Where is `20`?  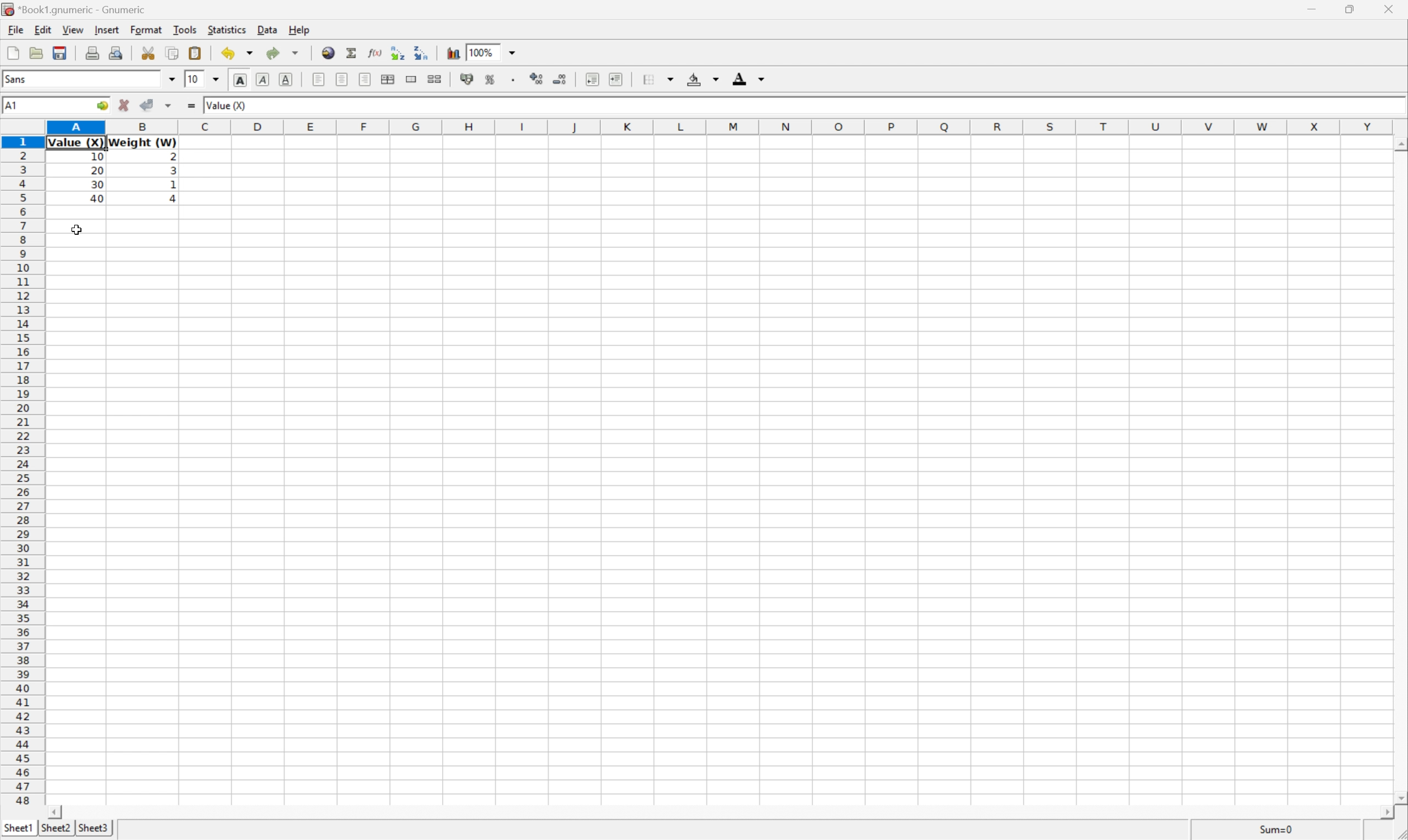
20 is located at coordinates (98, 169).